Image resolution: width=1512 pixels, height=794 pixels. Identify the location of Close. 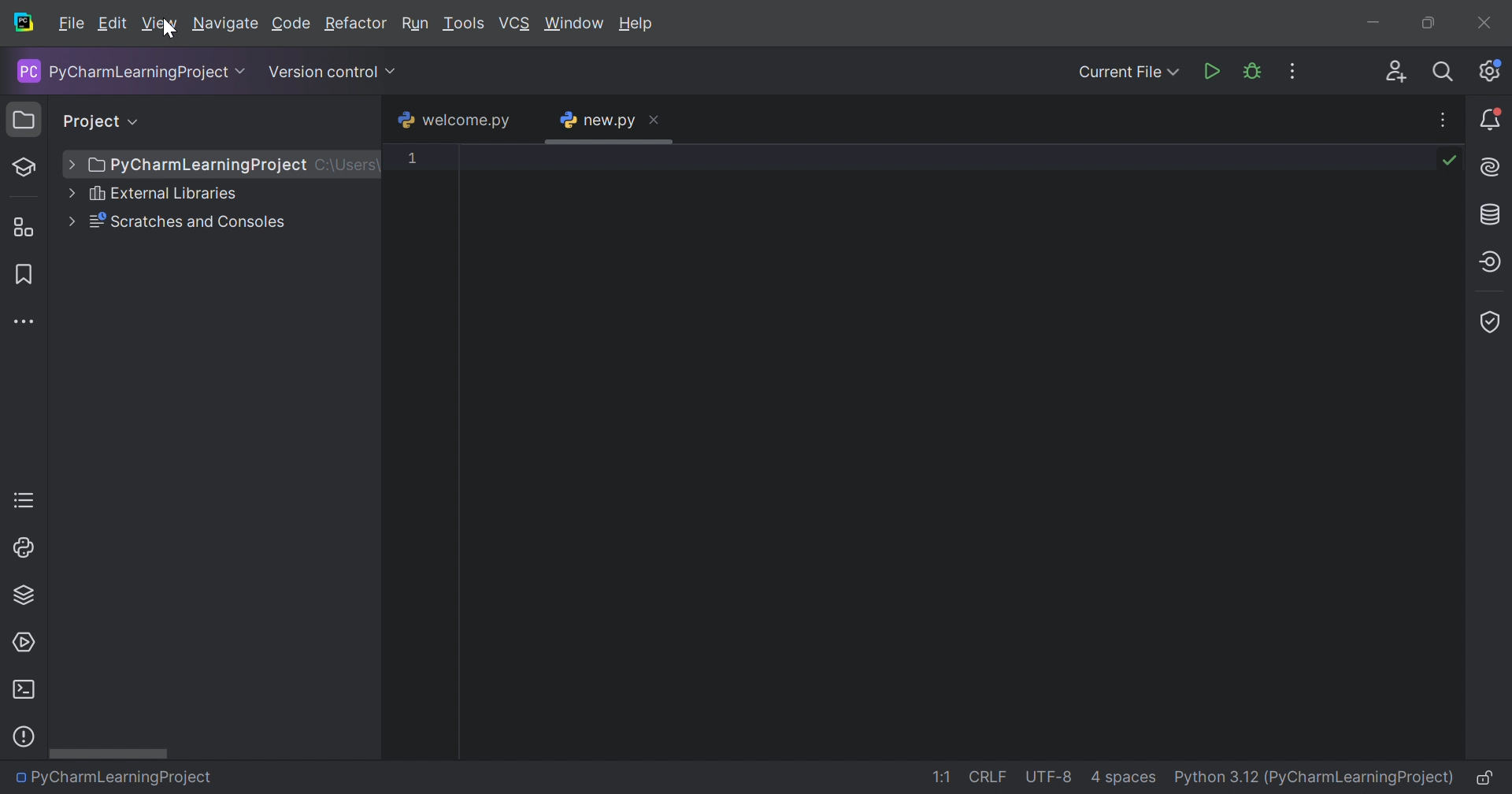
(660, 117).